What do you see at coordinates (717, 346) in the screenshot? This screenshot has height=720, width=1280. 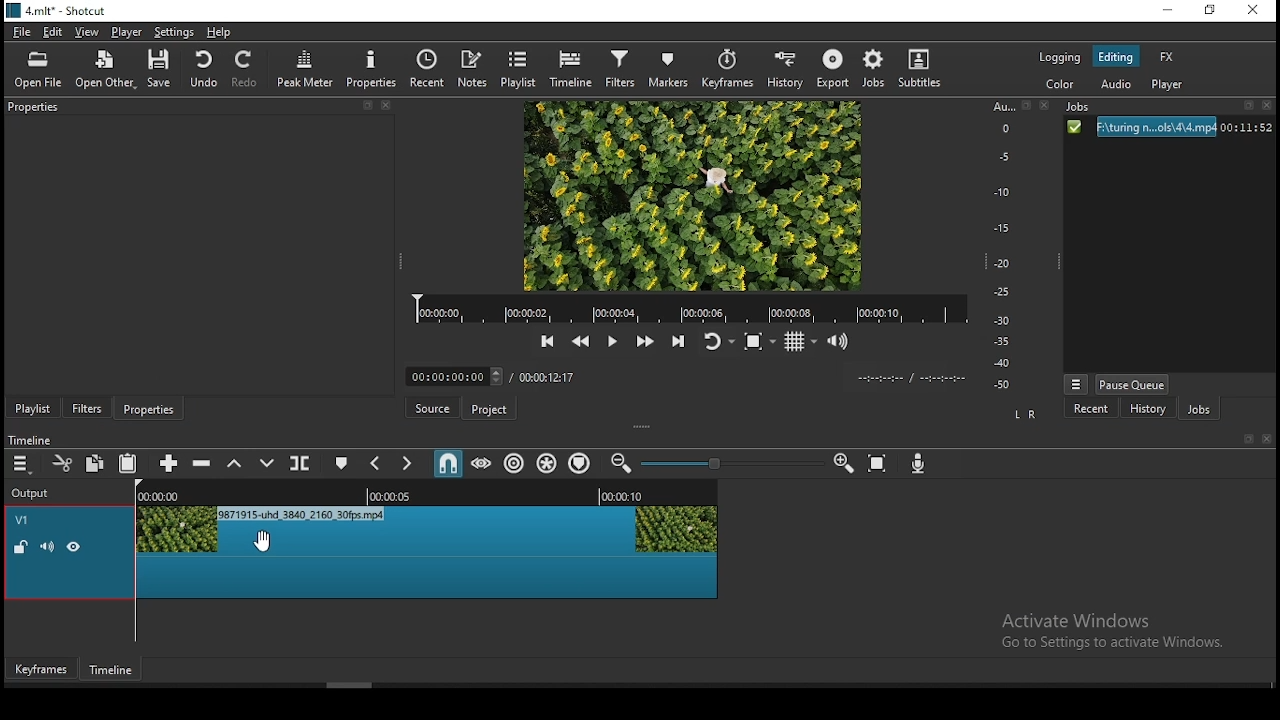 I see `toggle player looping` at bounding box center [717, 346].